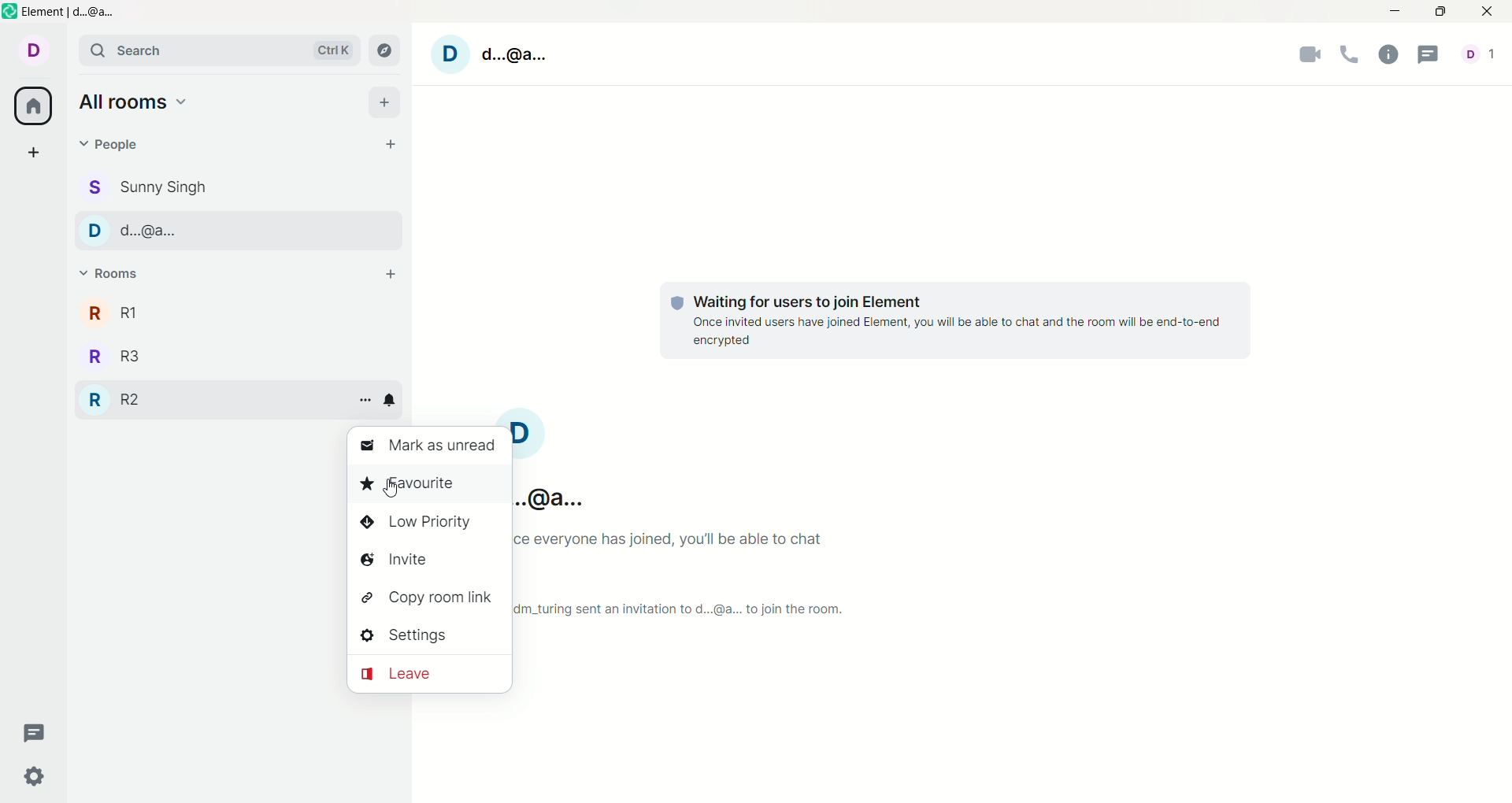 The height and width of the screenshot is (803, 1512). Describe the element at coordinates (384, 49) in the screenshot. I see `explore room` at that location.